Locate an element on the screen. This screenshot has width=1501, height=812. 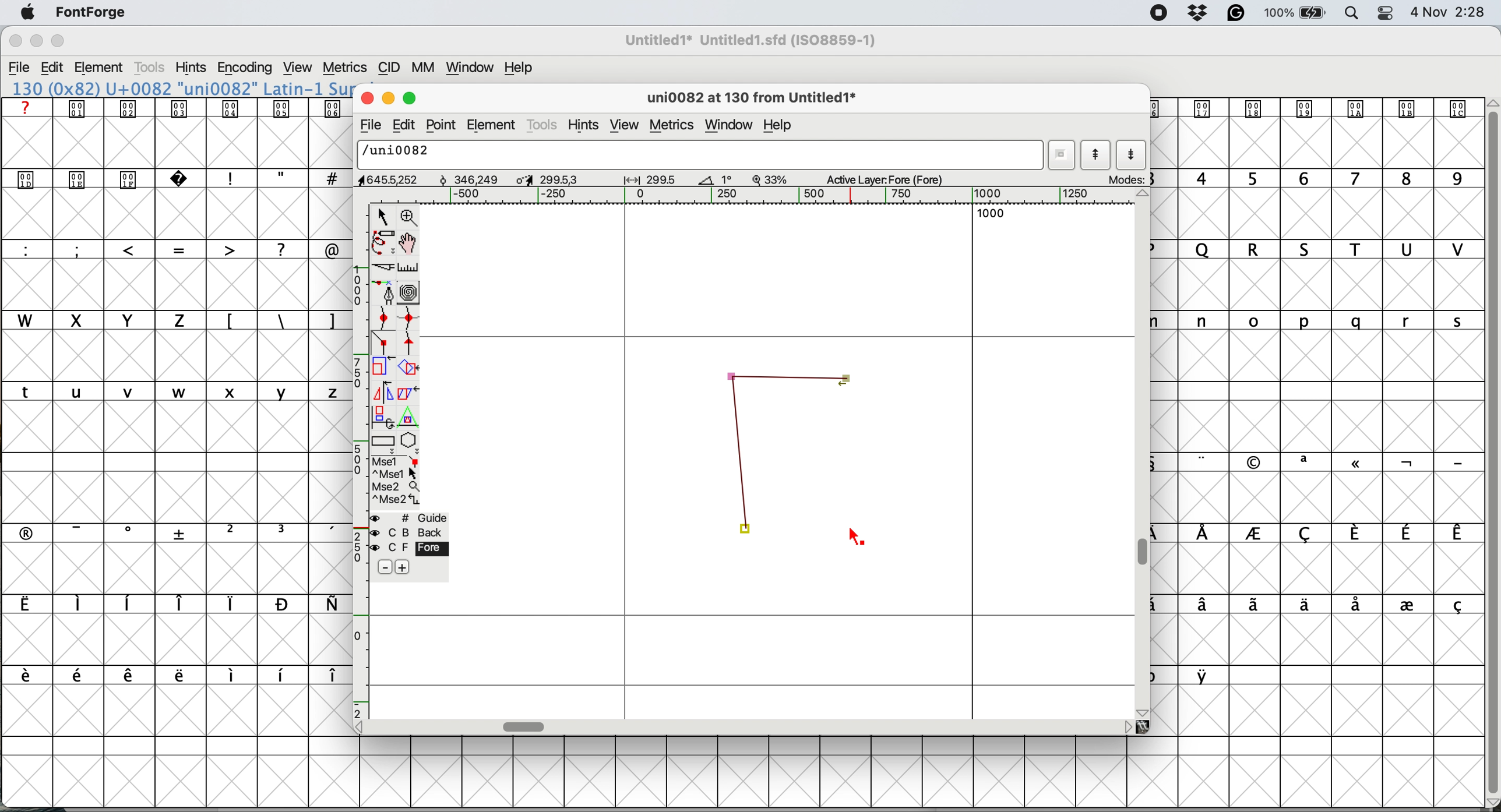
minimise is located at coordinates (36, 41).